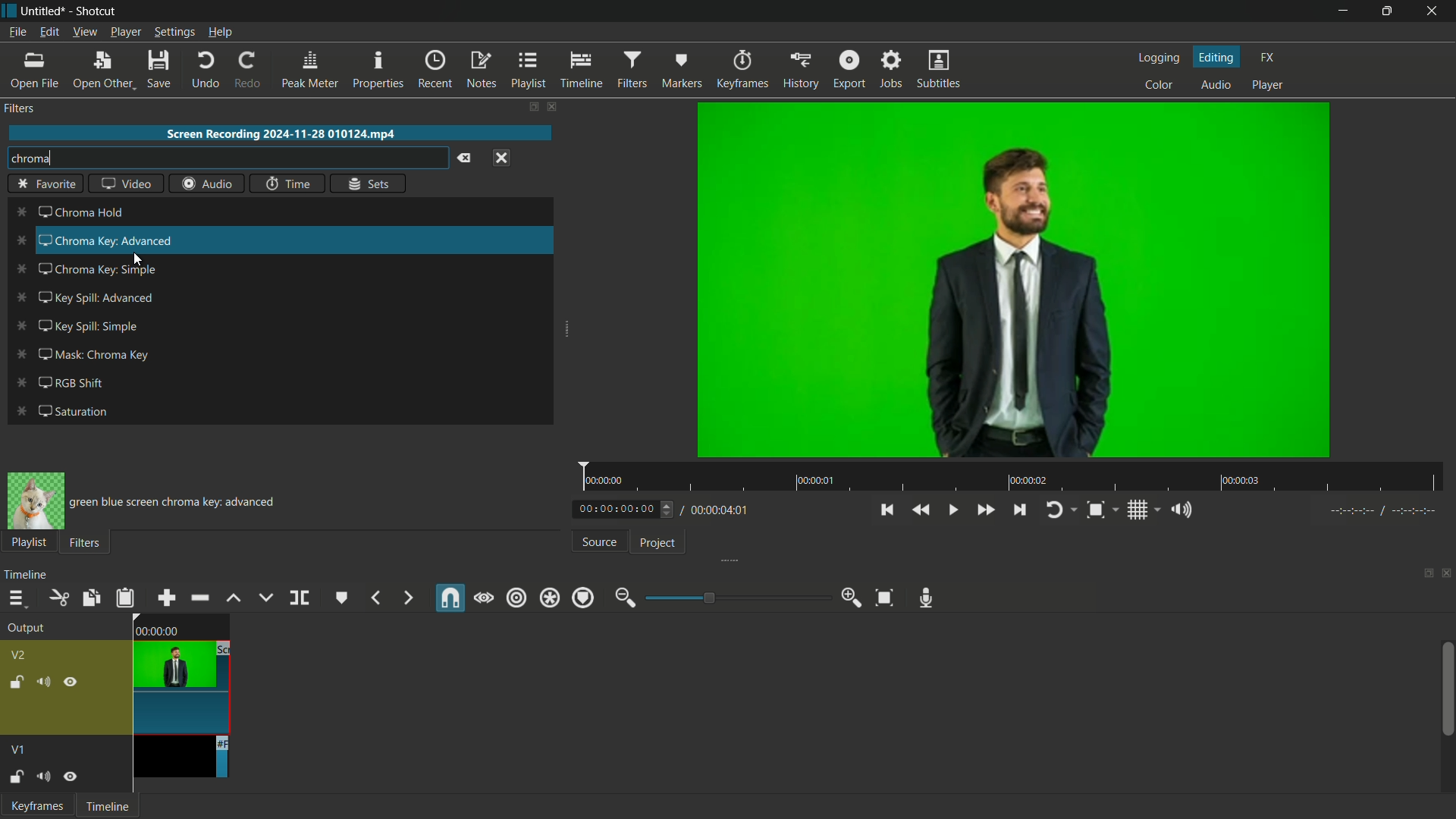 The height and width of the screenshot is (819, 1456). Describe the element at coordinates (13, 598) in the screenshot. I see `timeline menu` at that location.